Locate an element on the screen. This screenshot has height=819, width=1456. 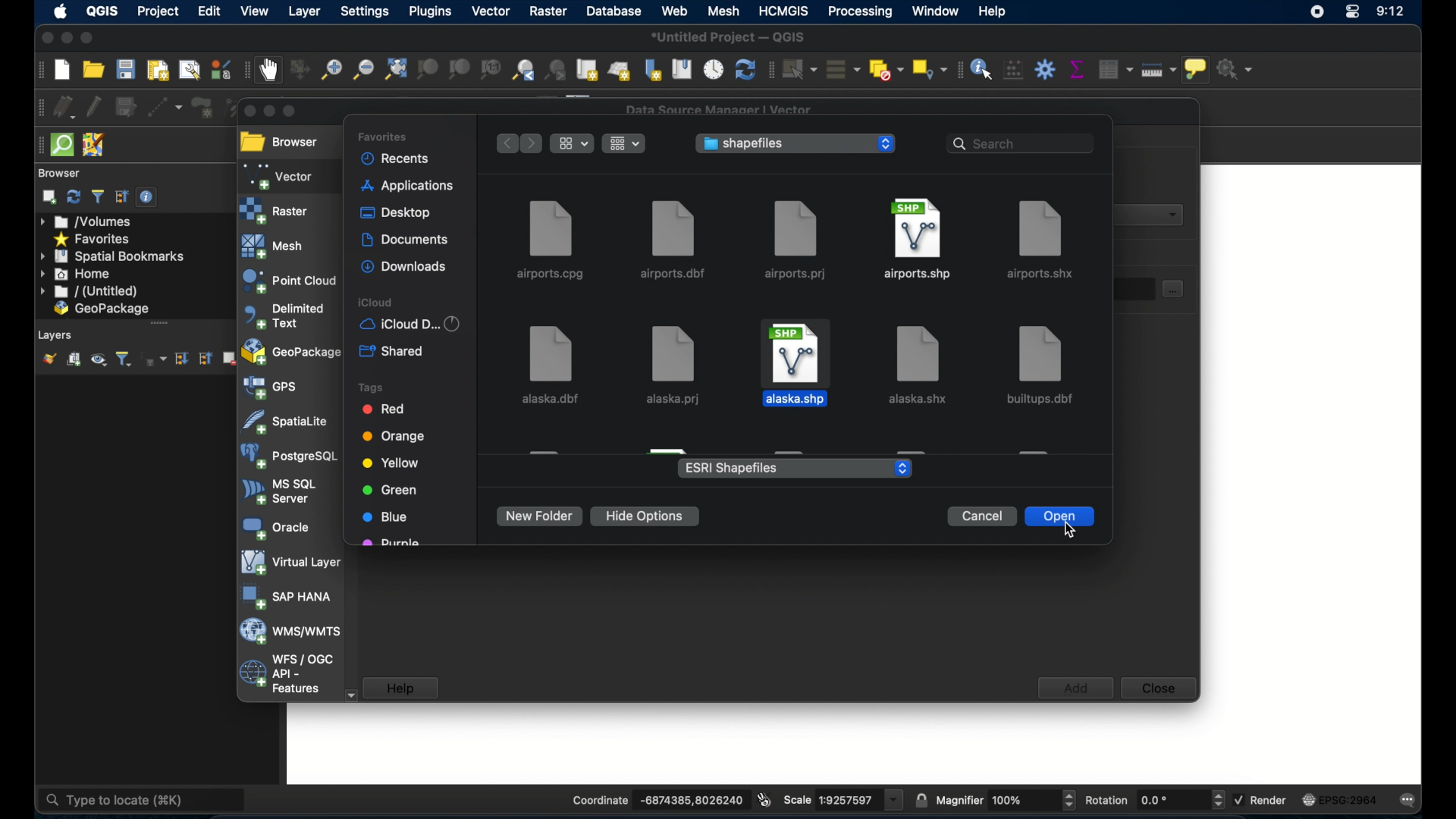
wfs/ogc api - features is located at coordinates (286, 674).